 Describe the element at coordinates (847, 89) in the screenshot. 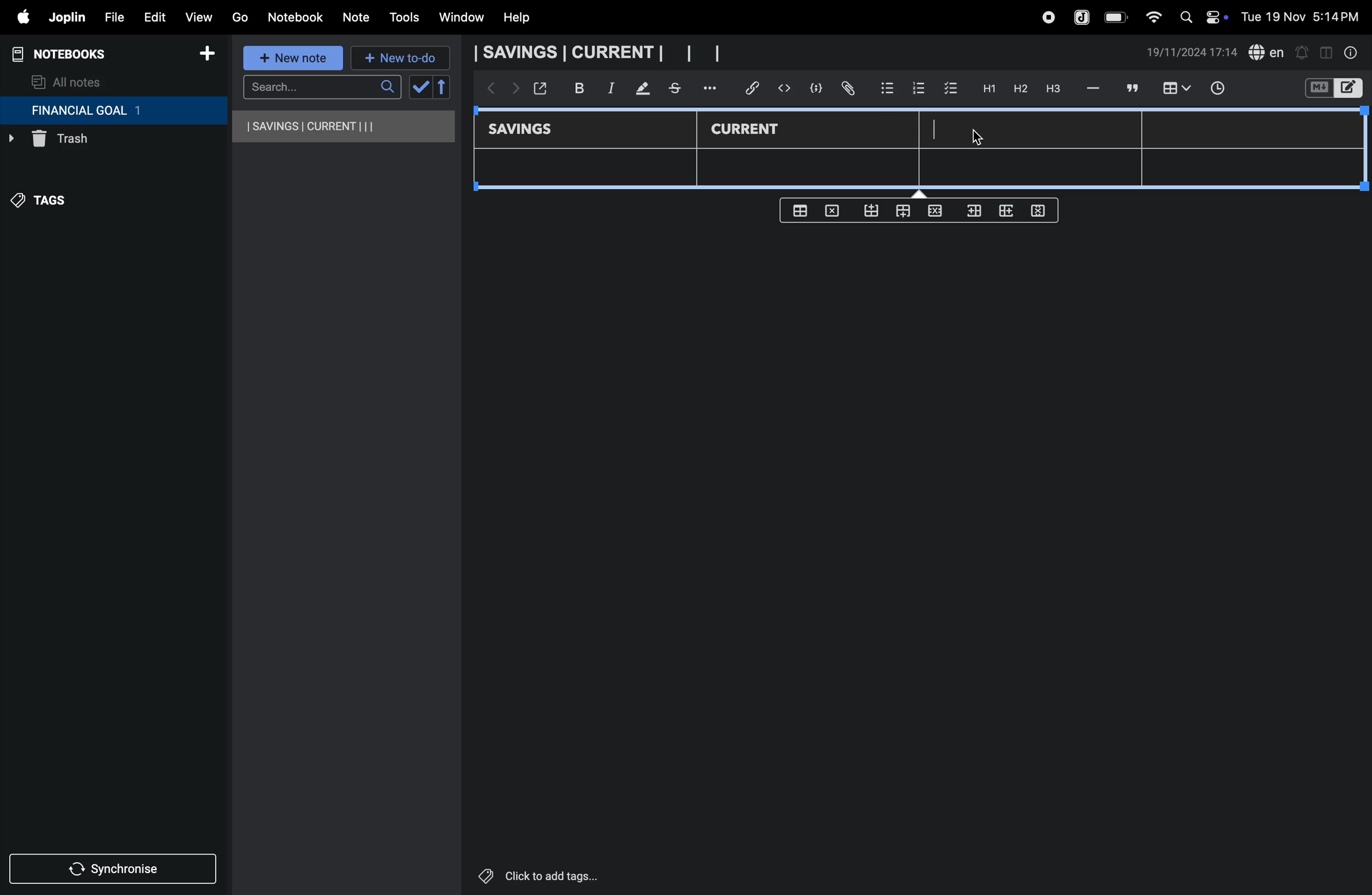

I see `attach file` at that location.